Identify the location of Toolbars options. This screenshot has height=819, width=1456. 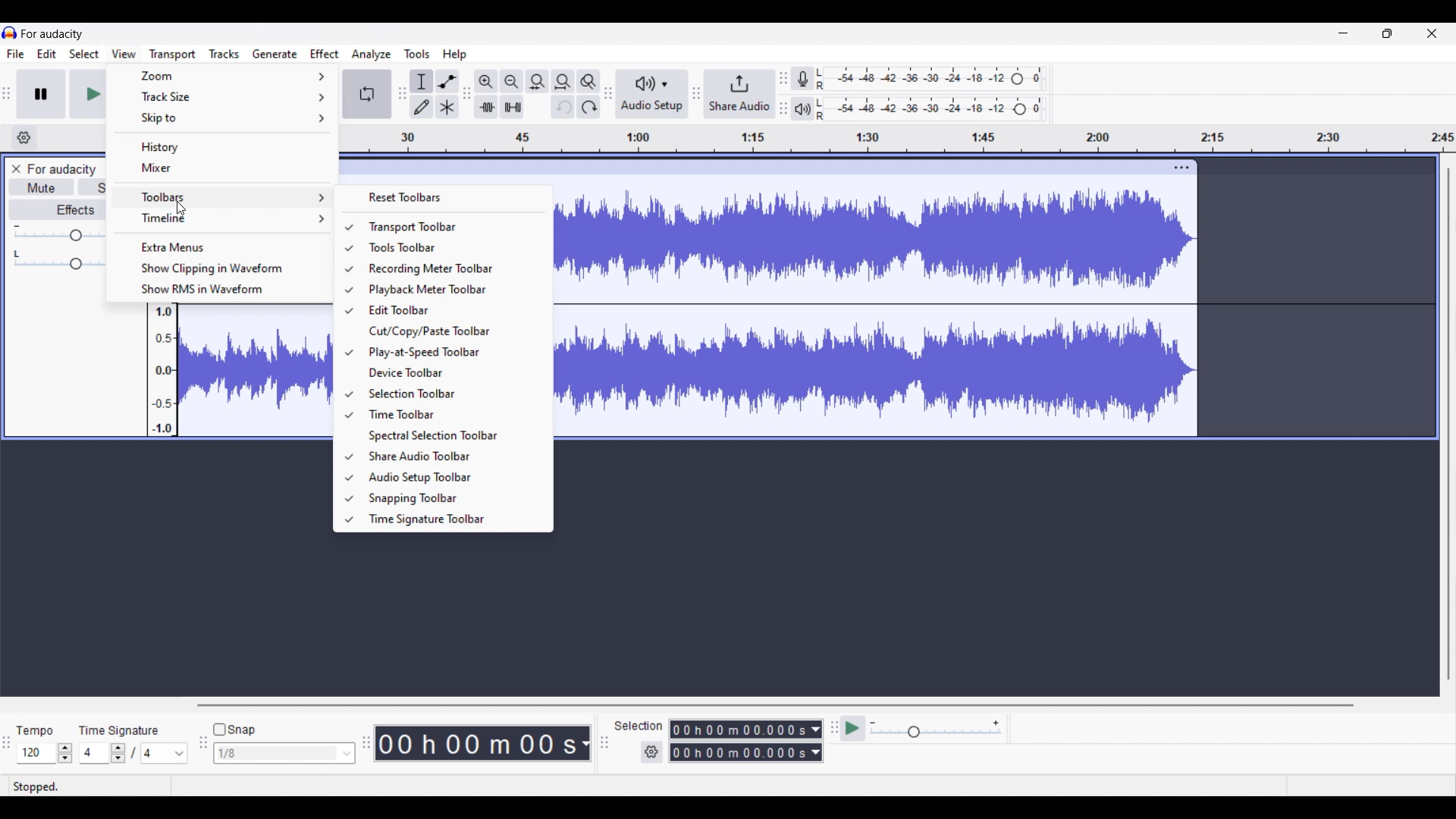
(221, 196).